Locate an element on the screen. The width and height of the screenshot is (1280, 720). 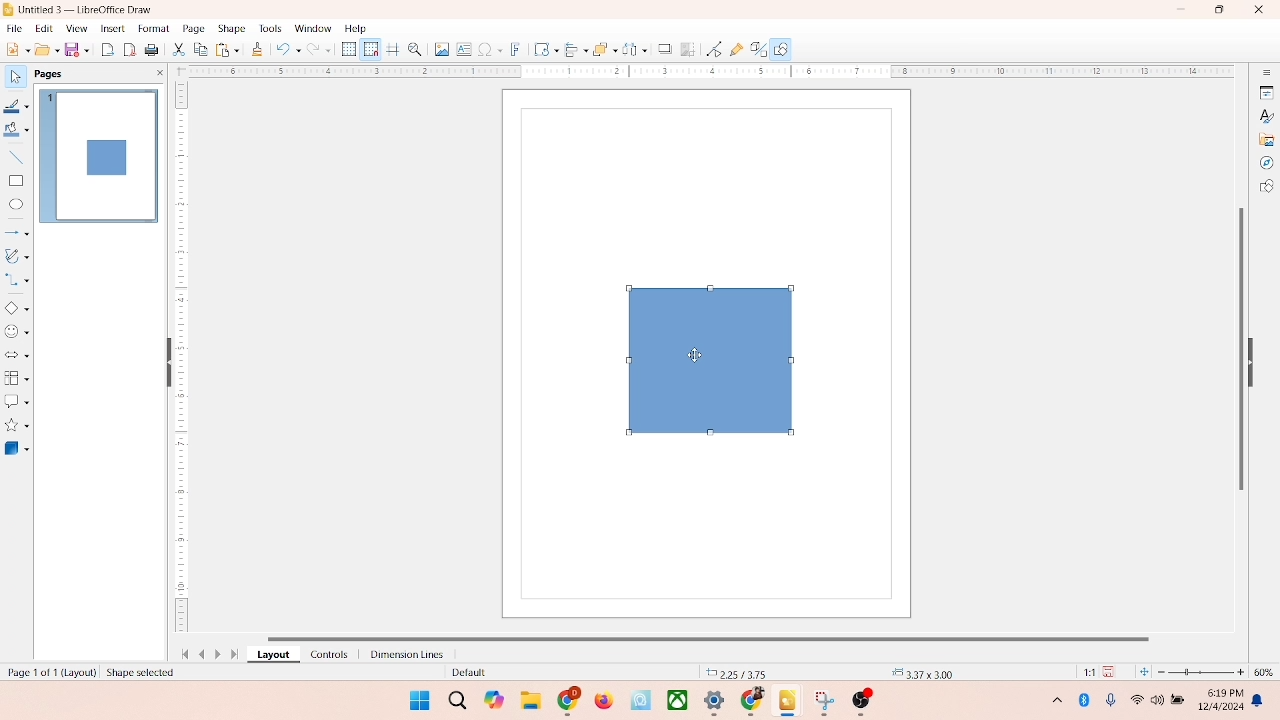
lines and arrows is located at coordinates (17, 232).